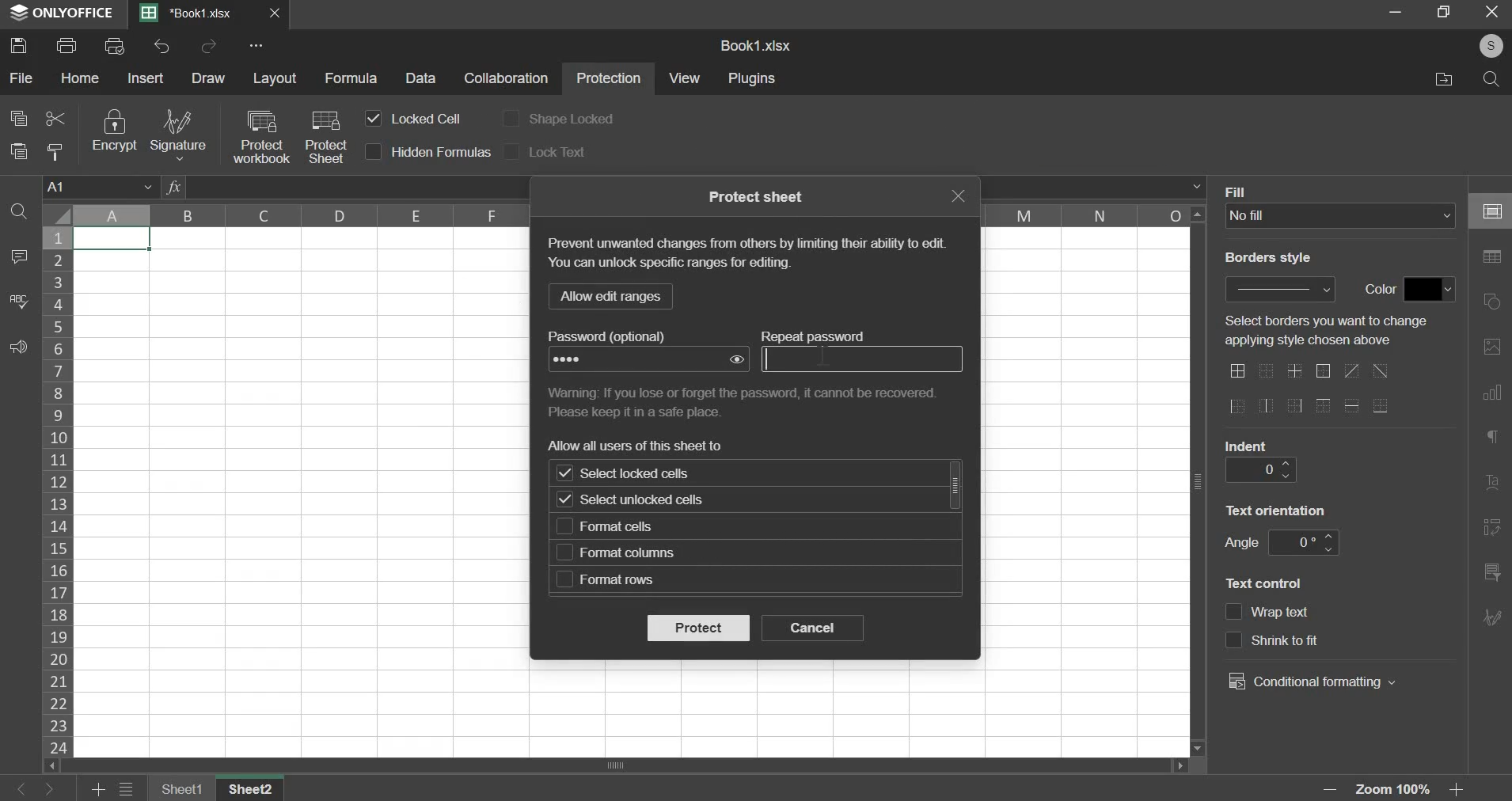 This screenshot has height=801, width=1512. What do you see at coordinates (21, 79) in the screenshot?
I see `file` at bounding box center [21, 79].